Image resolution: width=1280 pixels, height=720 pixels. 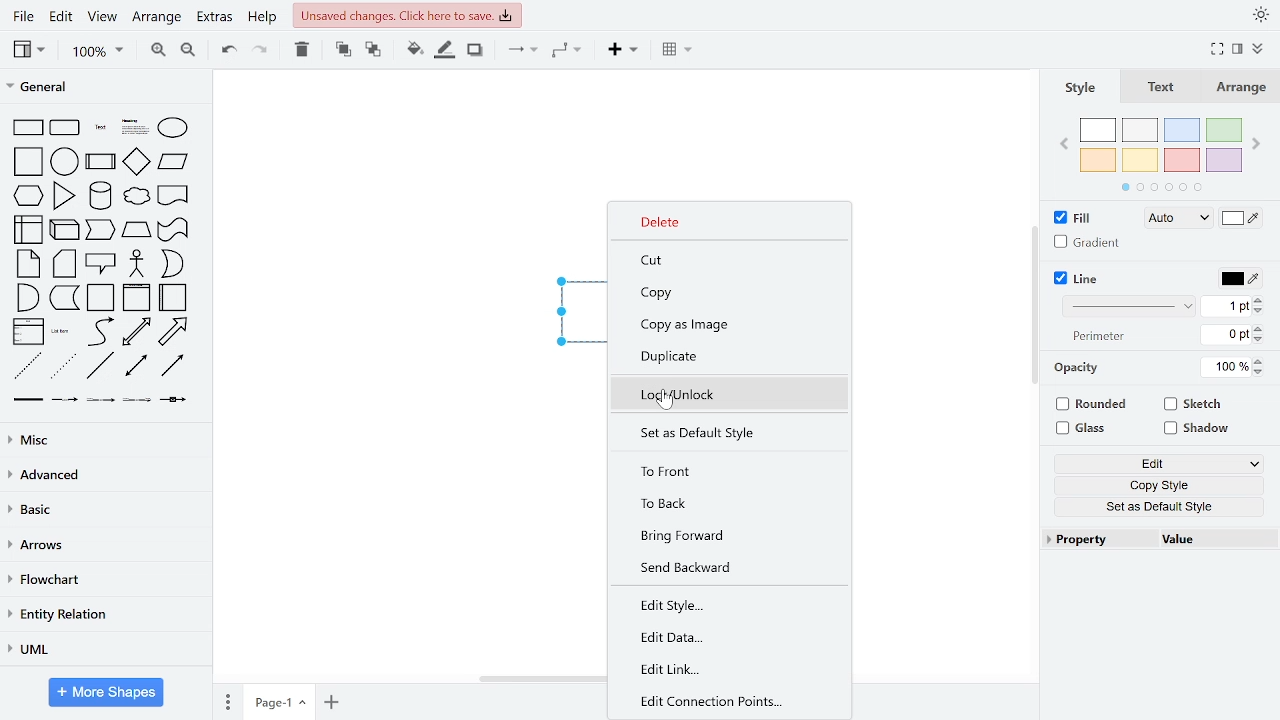 I want to click on Page-1, so click(x=280, y=703).